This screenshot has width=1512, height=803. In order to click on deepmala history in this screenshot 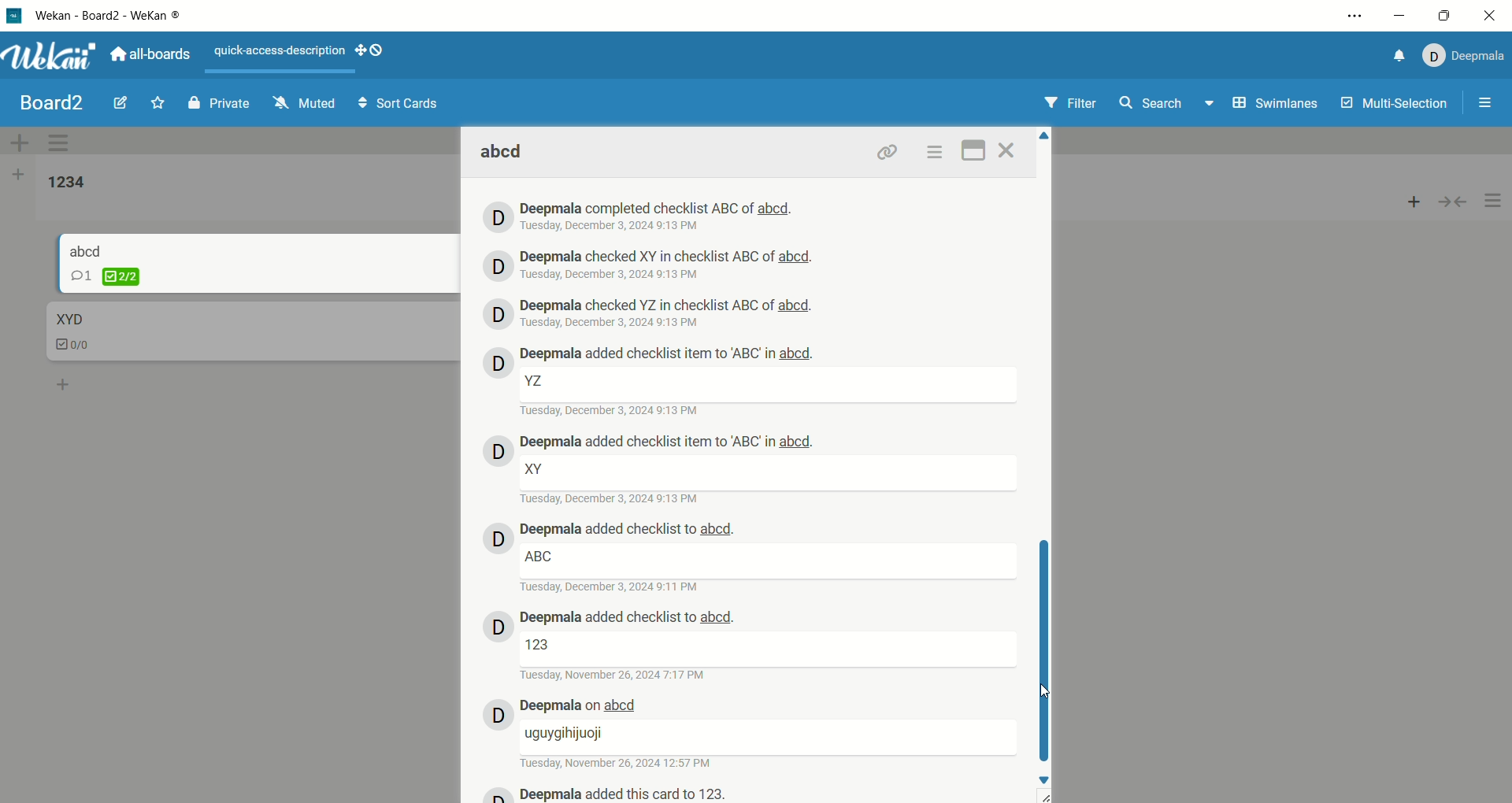, I will do `click(668, 443)`.